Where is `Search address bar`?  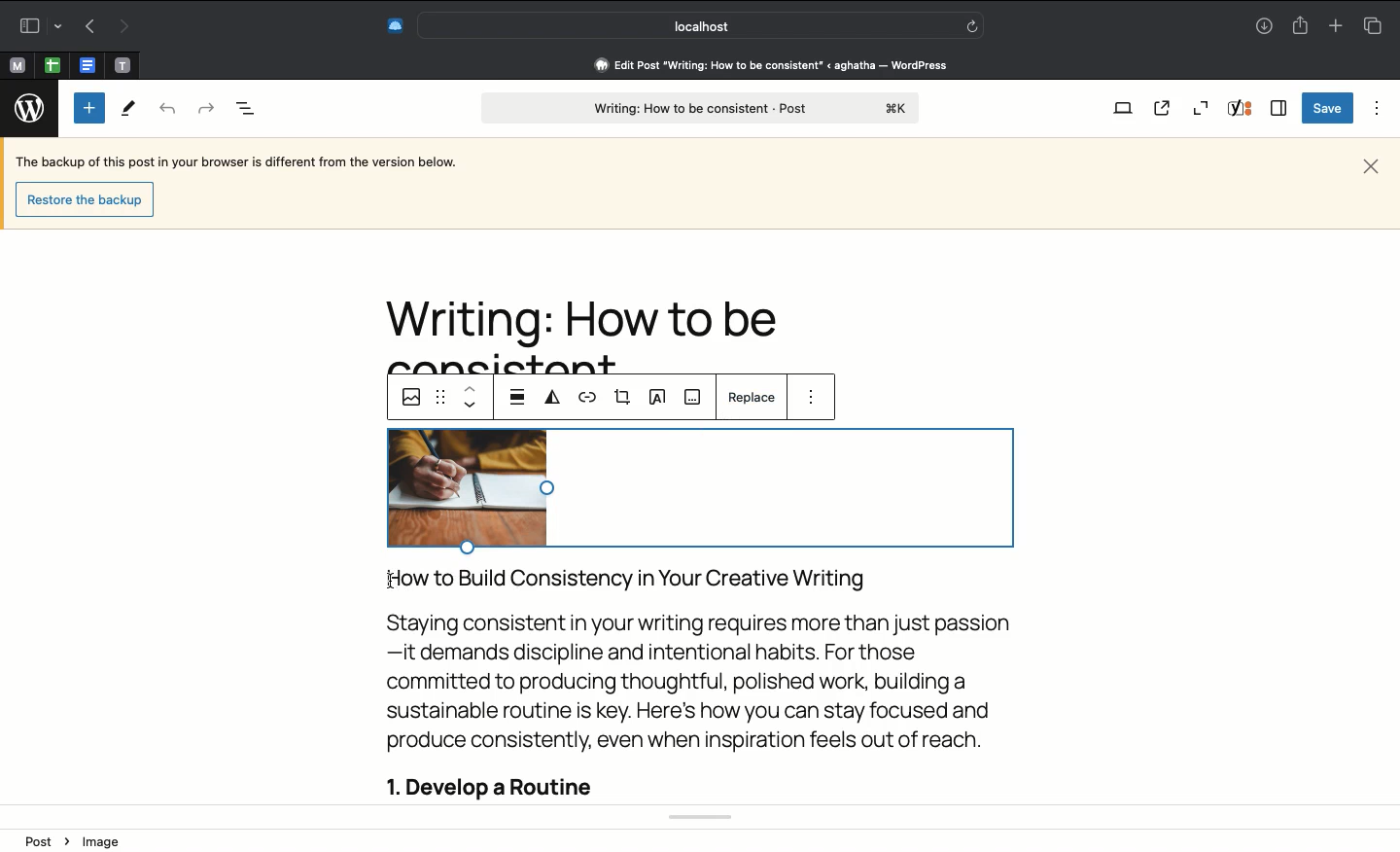
Search address bar is located at coordinates (698, 26).